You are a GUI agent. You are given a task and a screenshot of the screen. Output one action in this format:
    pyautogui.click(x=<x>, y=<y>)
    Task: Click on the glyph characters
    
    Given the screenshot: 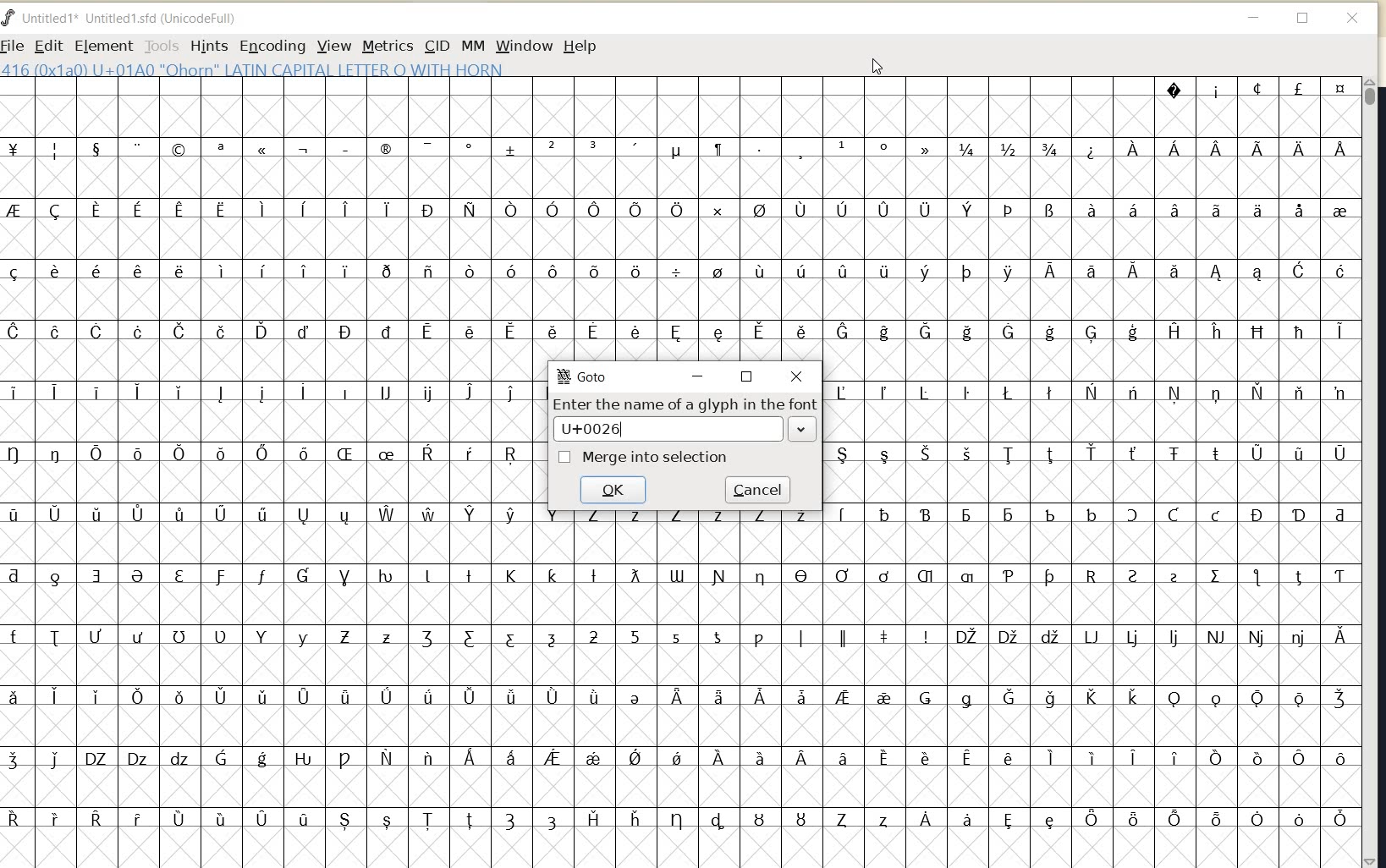 What is the action you would take?
    pyautogui.click(x=269, y=613)
    